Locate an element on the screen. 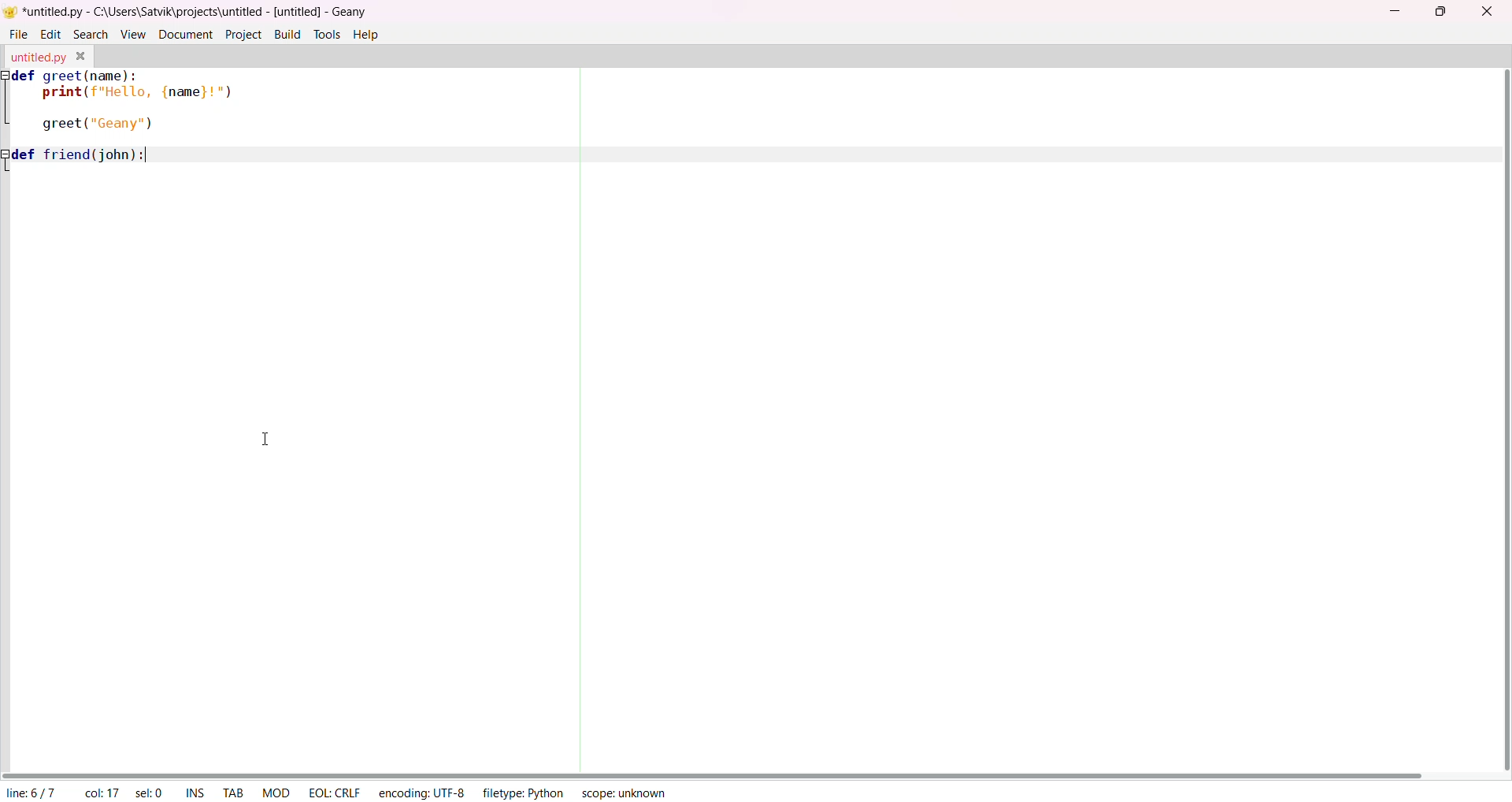 The height and width of the screenshot is (802, 1512). Input text area is located at coordinates (423, 121).